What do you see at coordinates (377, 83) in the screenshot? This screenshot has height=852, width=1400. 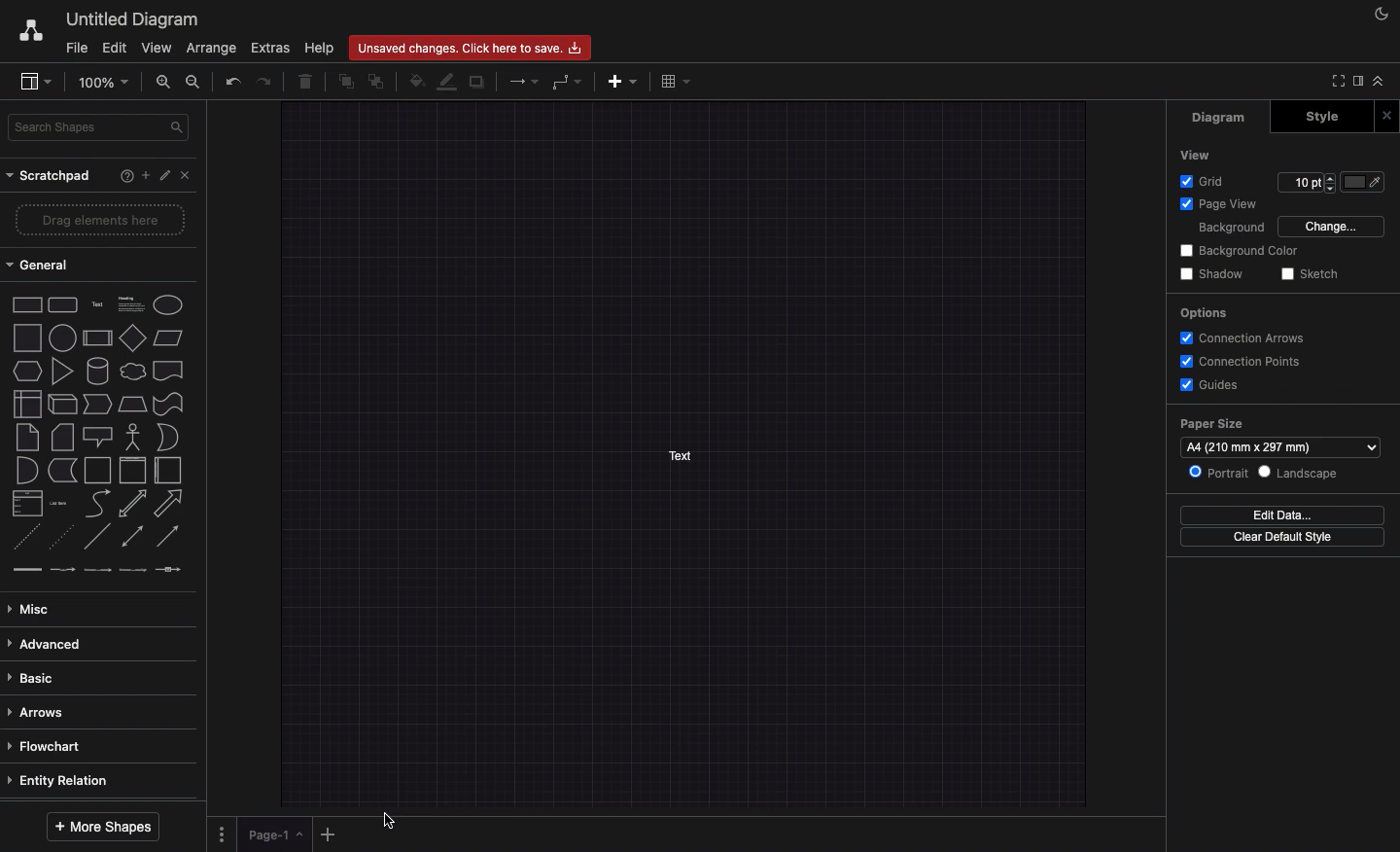 I see `To back` at bounding box center [377, 83].